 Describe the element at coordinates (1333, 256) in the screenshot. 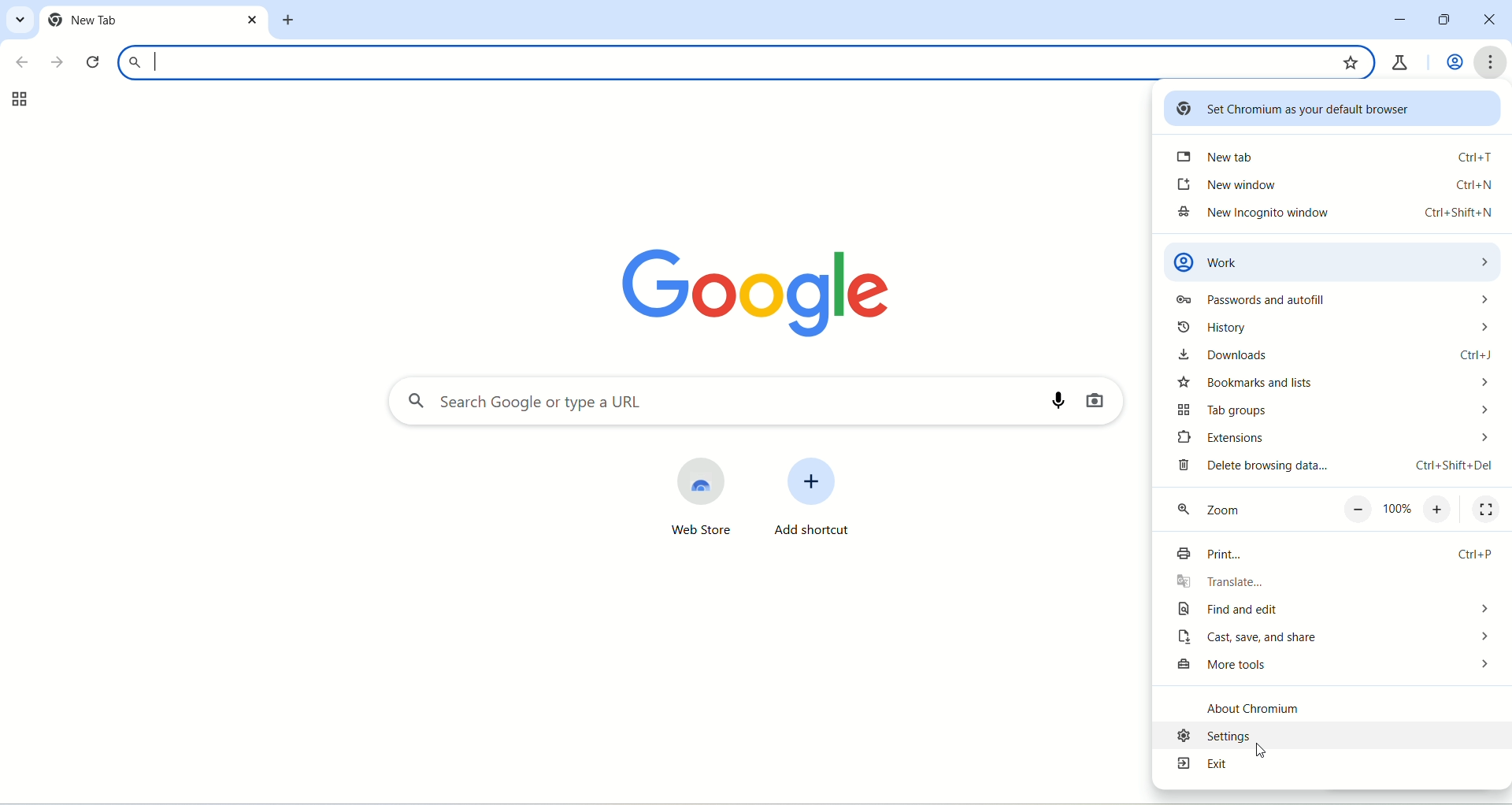

I see `work` at that location.